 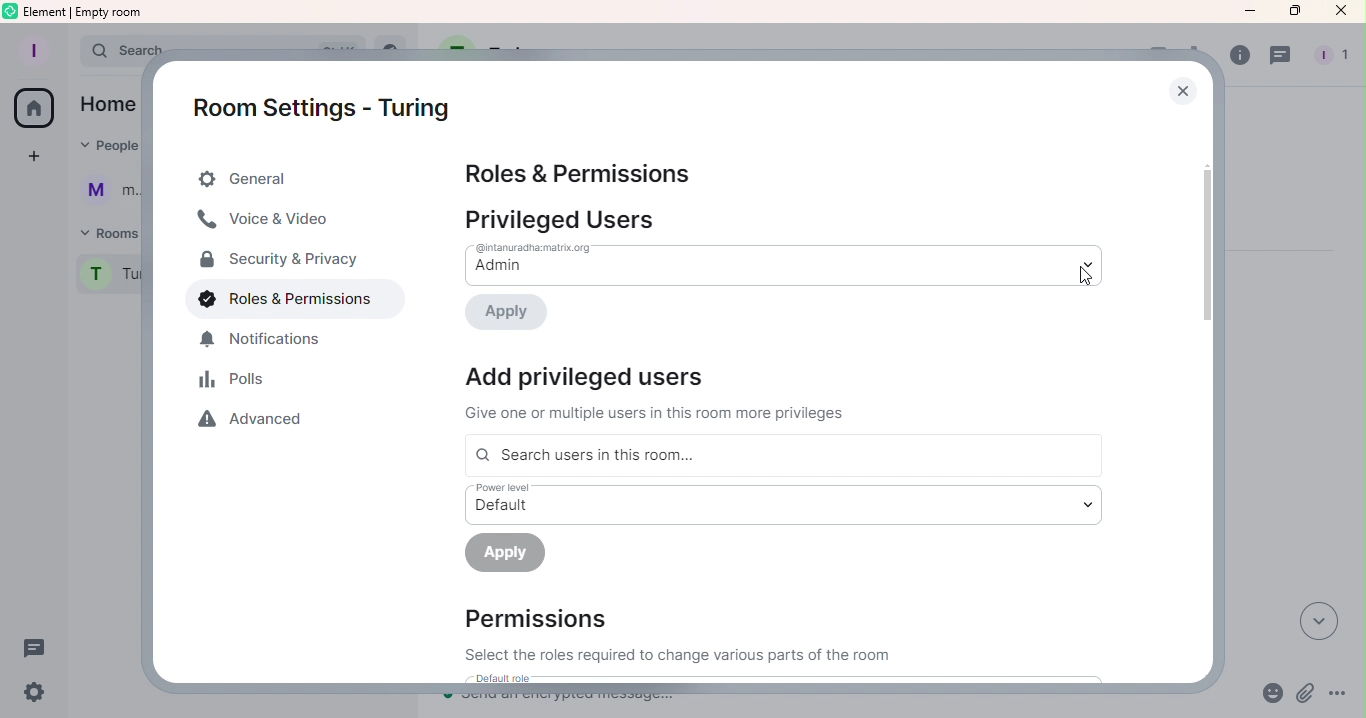 I want to click on Search users in this room, so click(x=786, y=456).